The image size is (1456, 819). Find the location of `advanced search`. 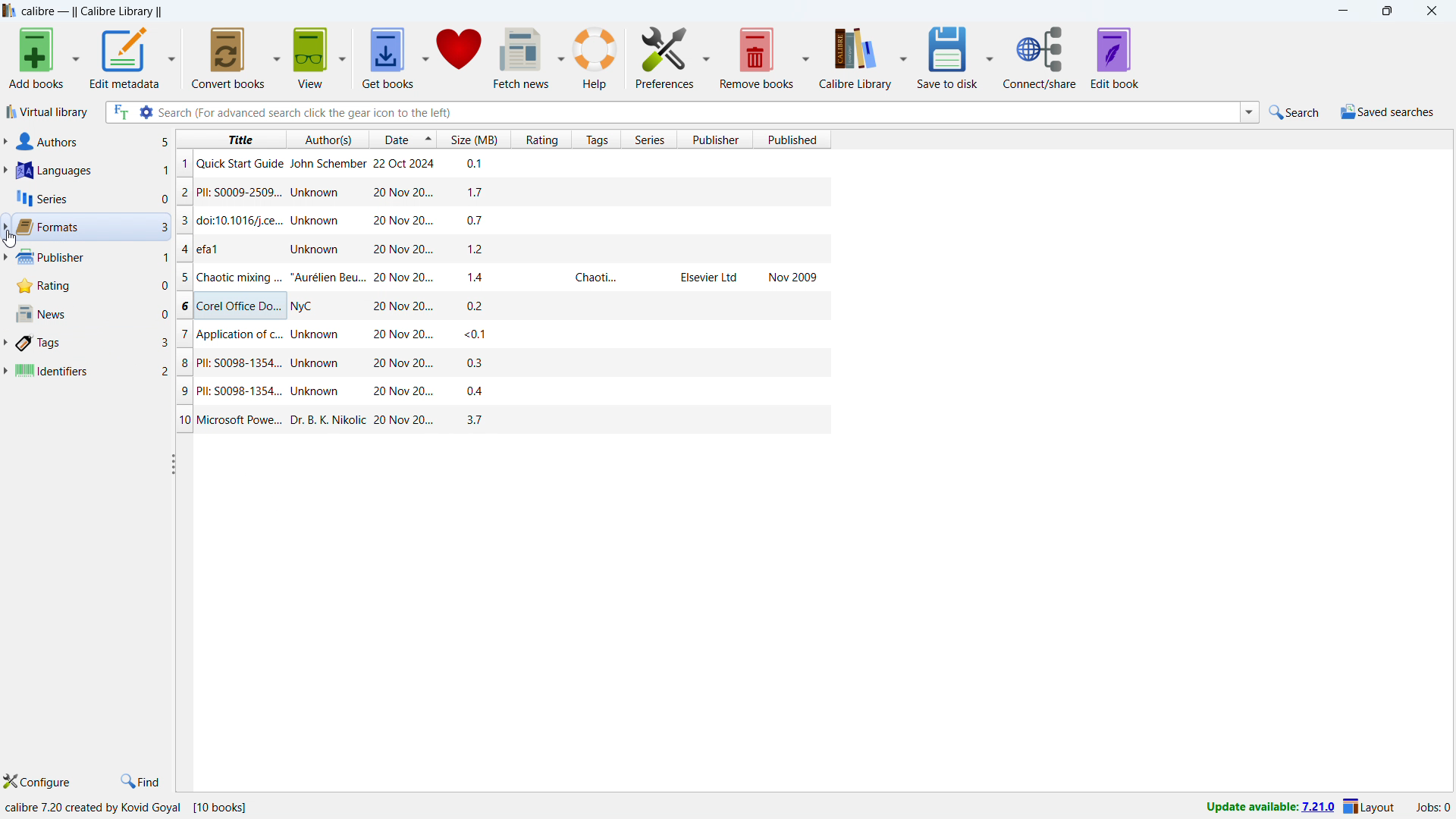

advanced search is located at coordinates (147, 111).